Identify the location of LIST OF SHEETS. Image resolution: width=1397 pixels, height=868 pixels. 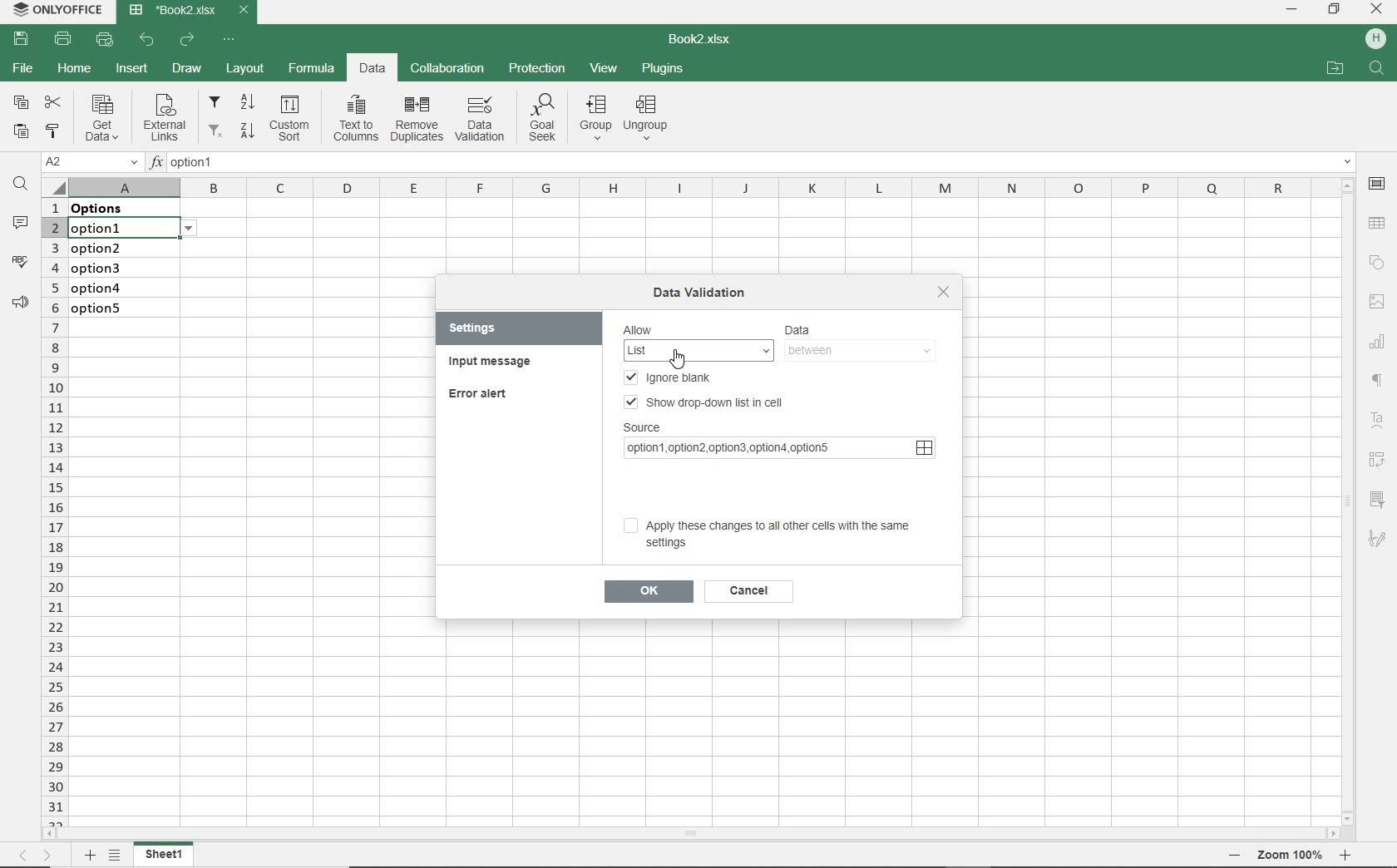
(114, 856).